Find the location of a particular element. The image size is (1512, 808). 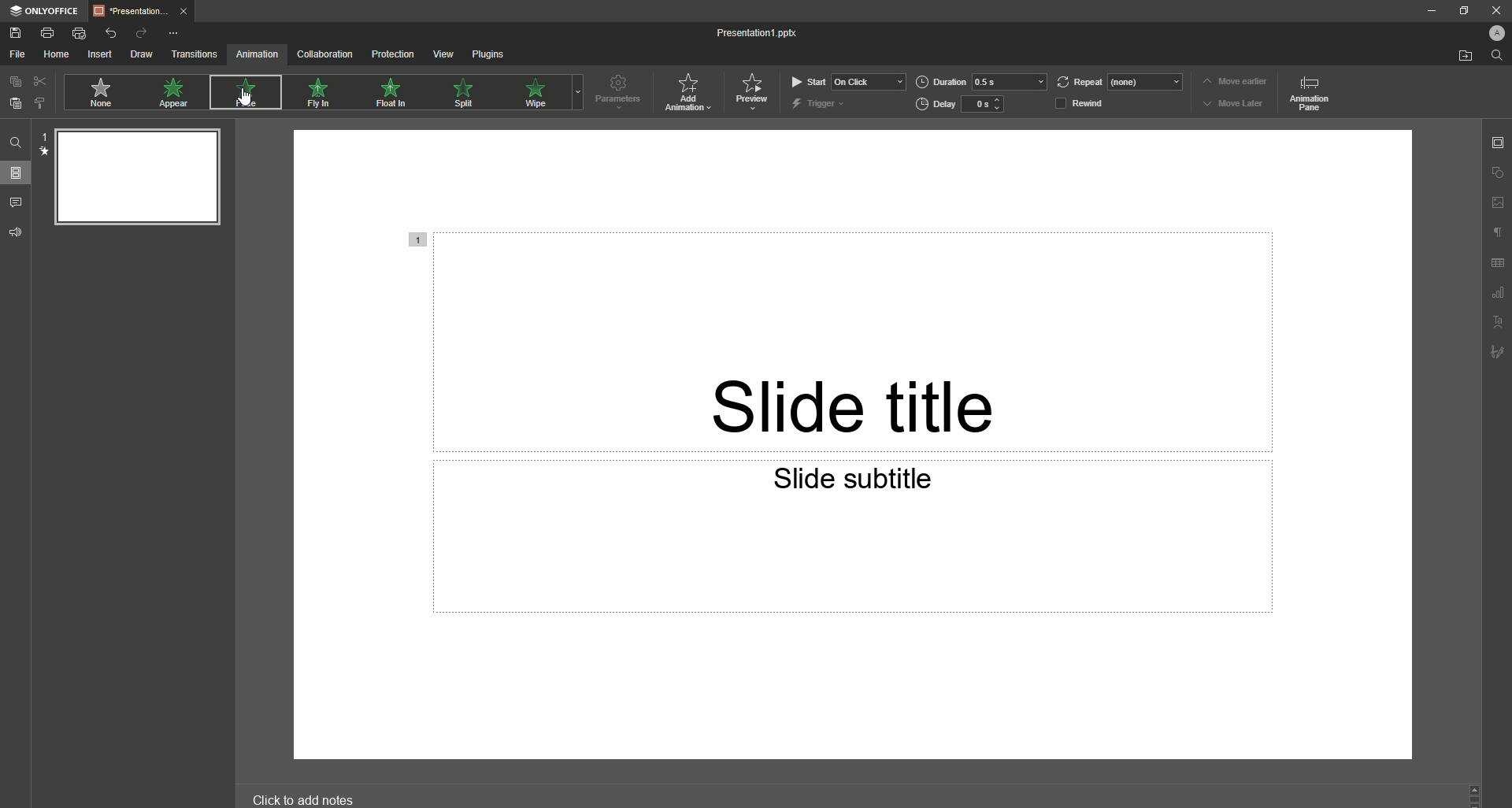

Slide Subtitle is located at coordinates (859, 482).